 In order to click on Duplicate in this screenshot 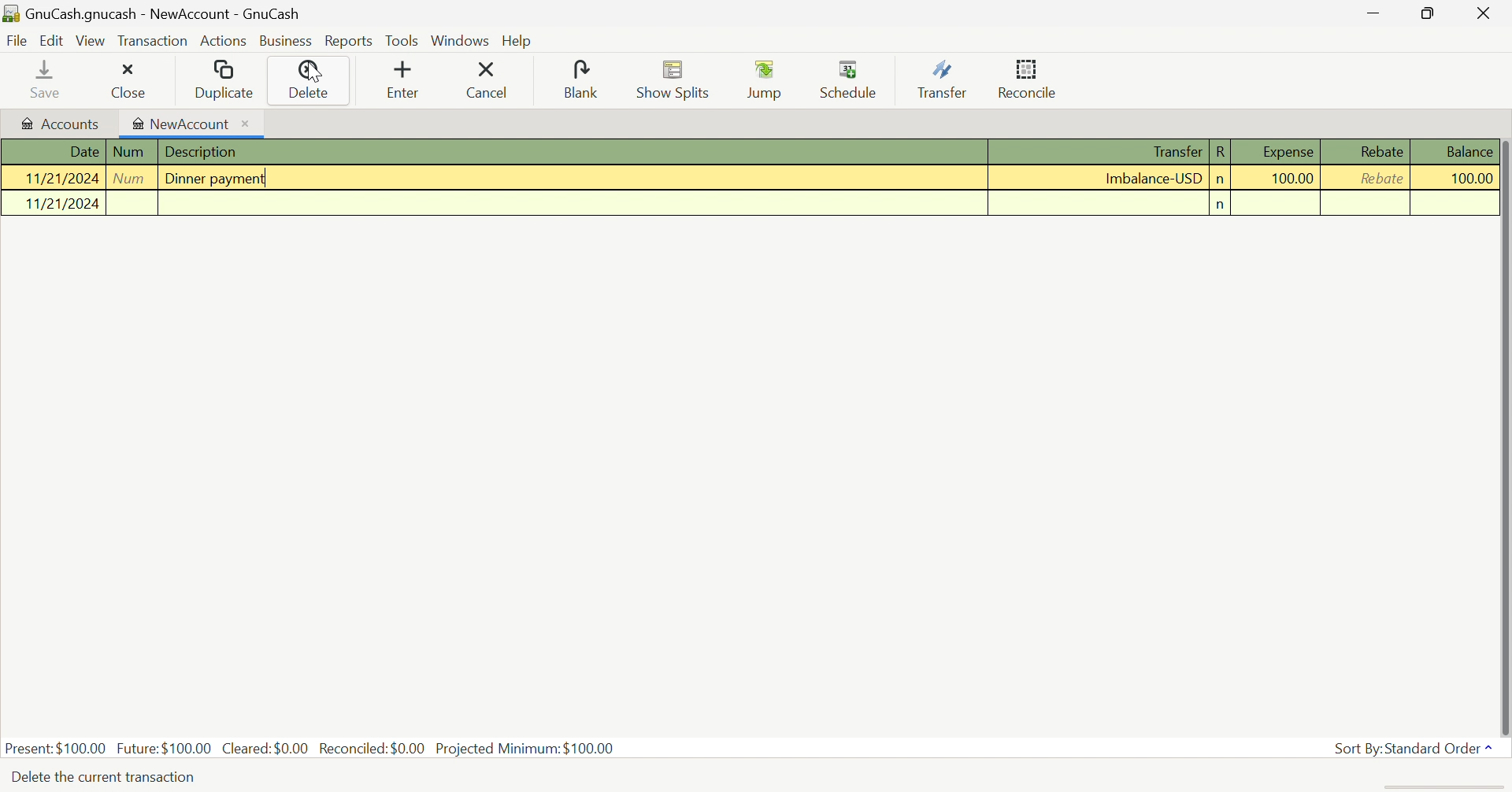, I will do `click(224, 81)`.